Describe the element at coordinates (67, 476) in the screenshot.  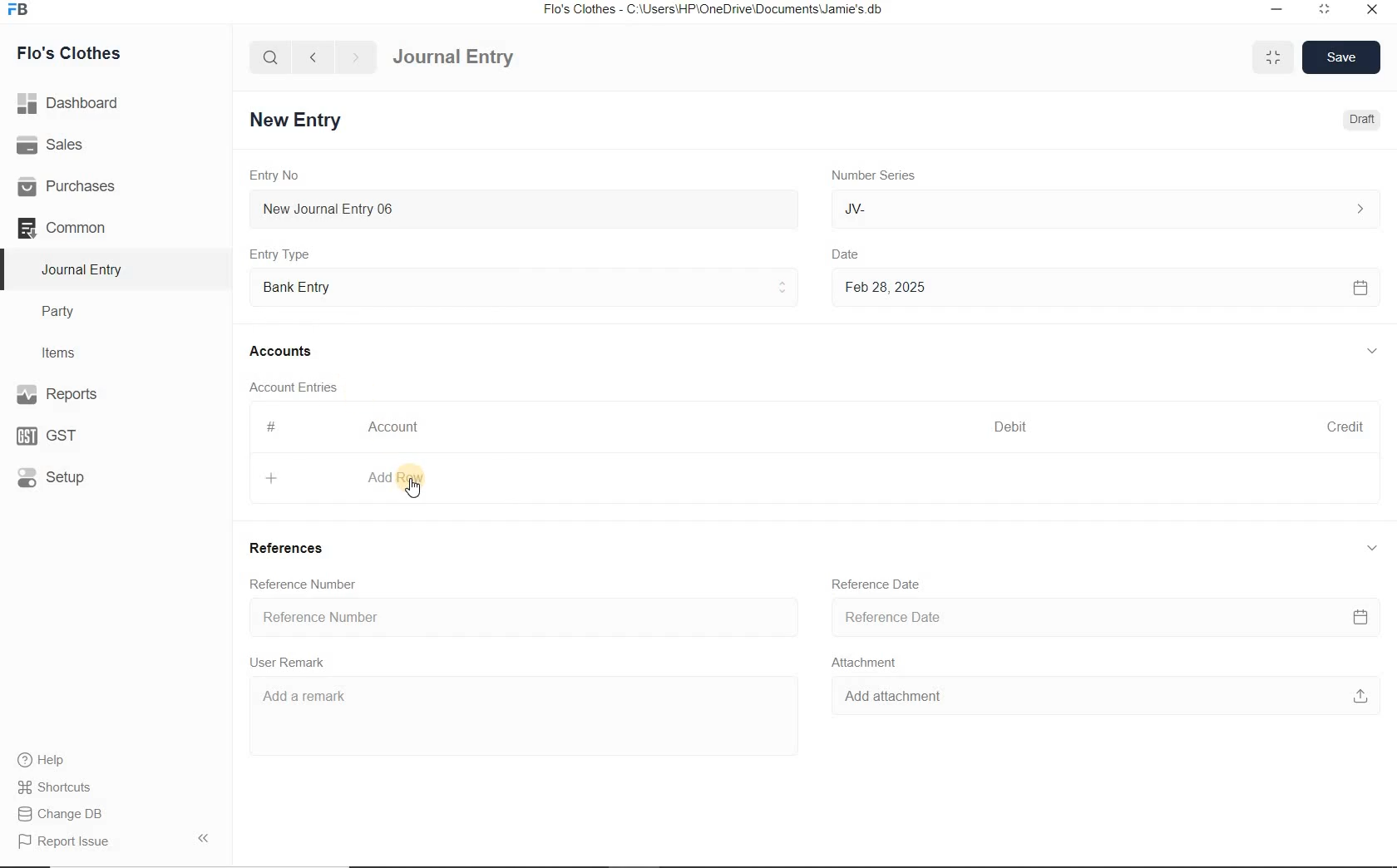
I see `Setup` at that location.